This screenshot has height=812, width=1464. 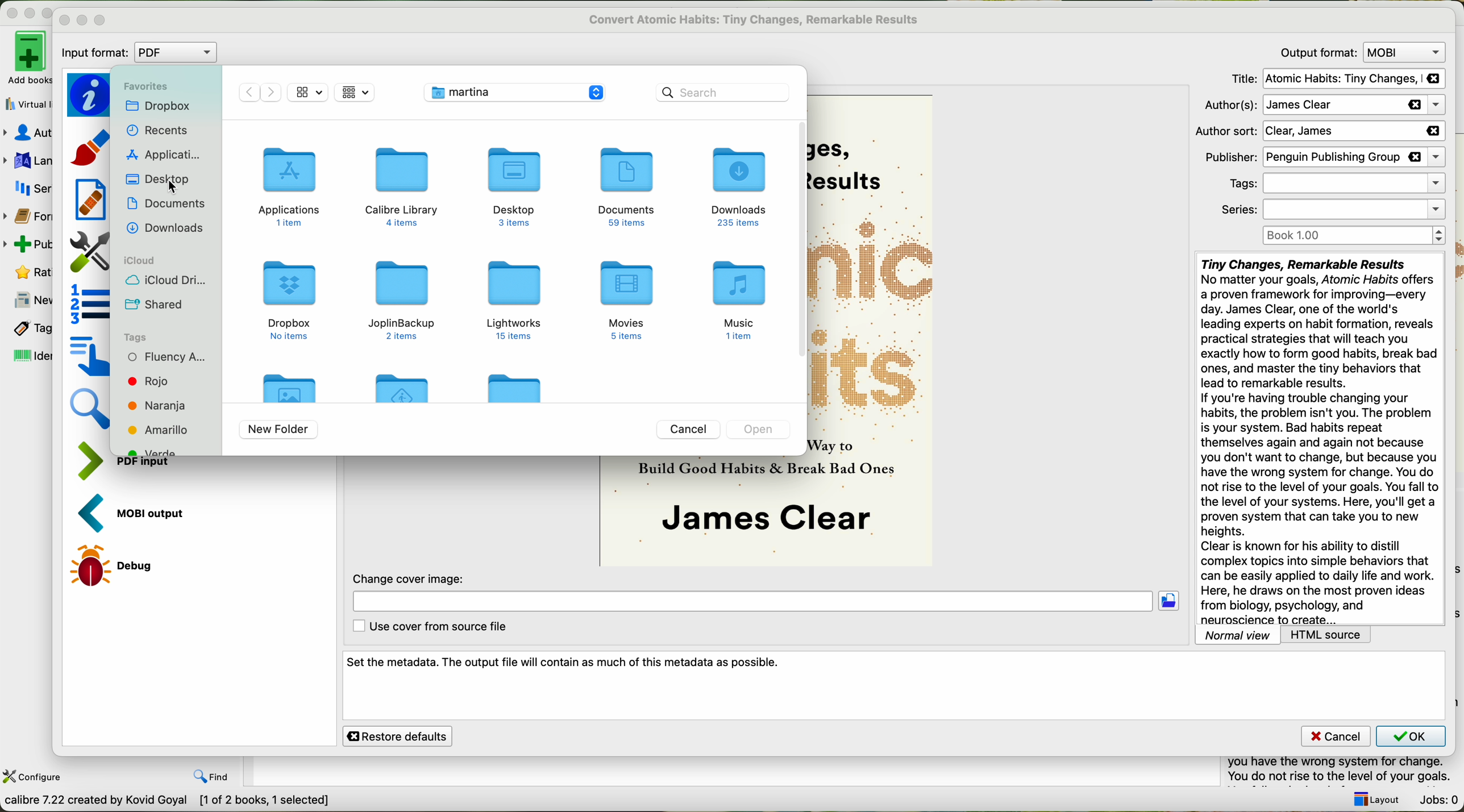 I want to click on series, so click(x=1333, y=210).